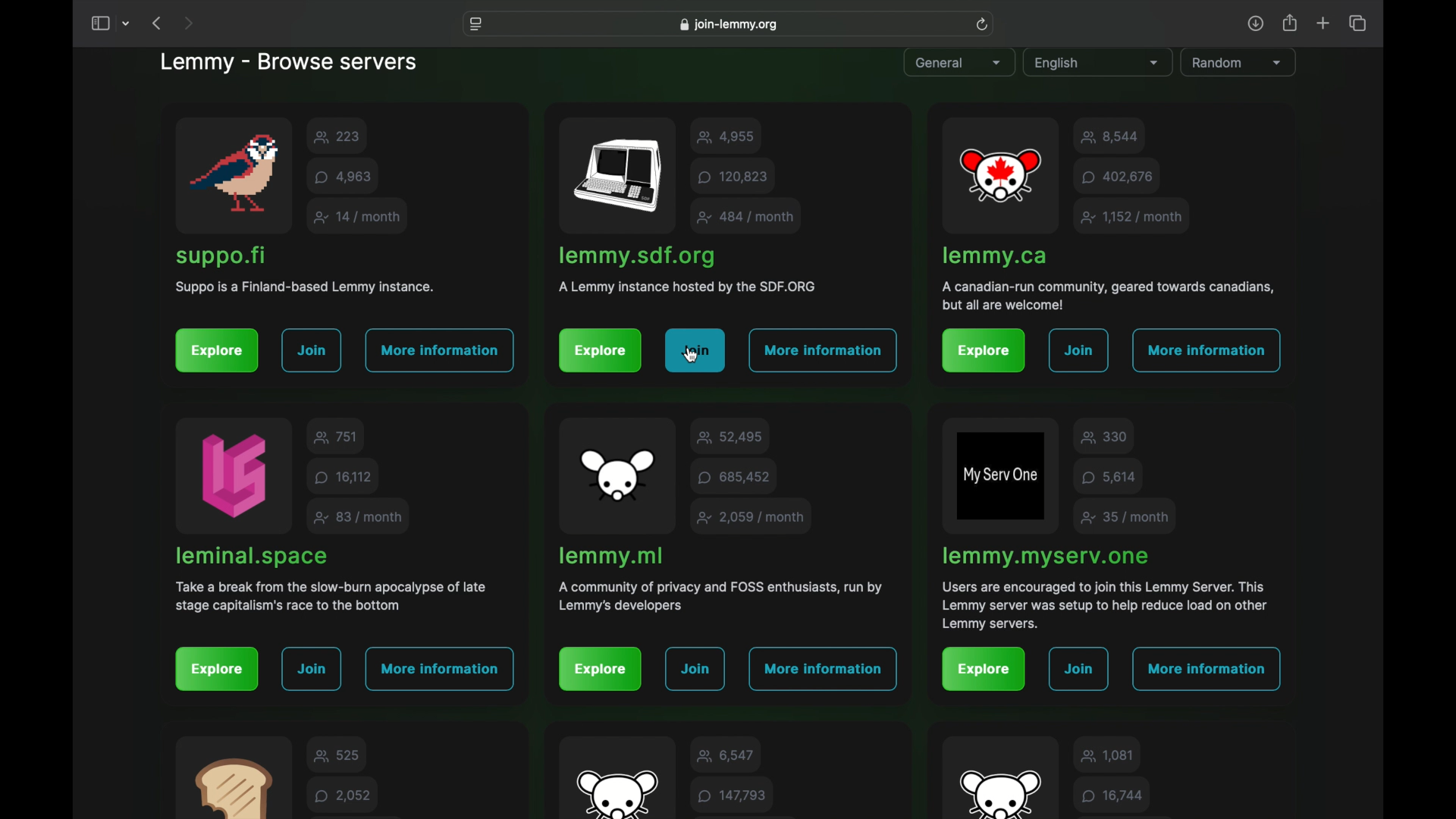 The width and height of the screenshot is (1456, 819). What do you see at coordinates (1002, 475) in the screenshot?
I see `server icon` at bounding box center [1002, 475].